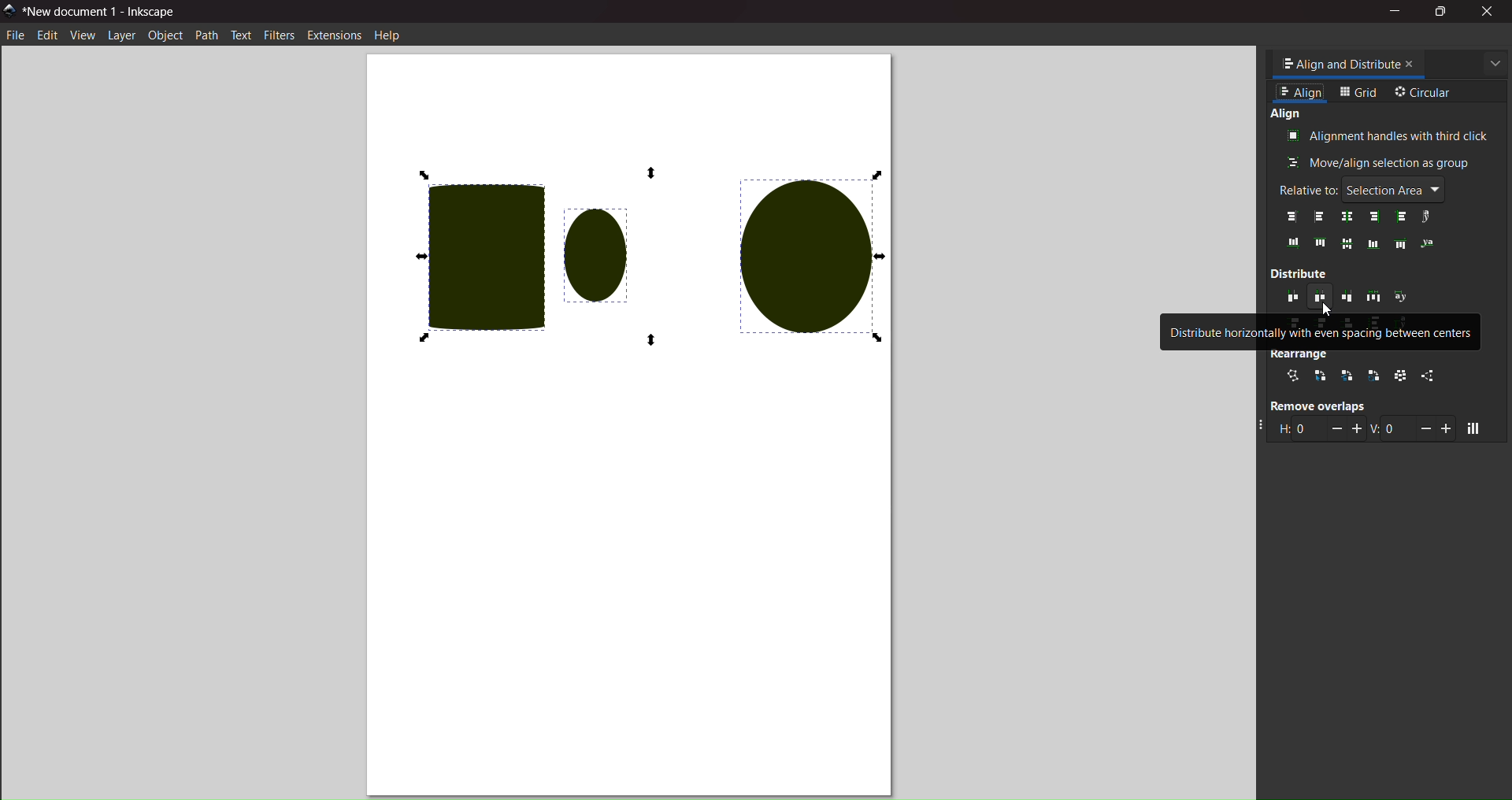 Image resolution: width=1512 pixels, height=800 pixels. What do you see at coordinates (1306, 191) in the screenshot?
I see `relative to` at bounding box center [1306, 191].